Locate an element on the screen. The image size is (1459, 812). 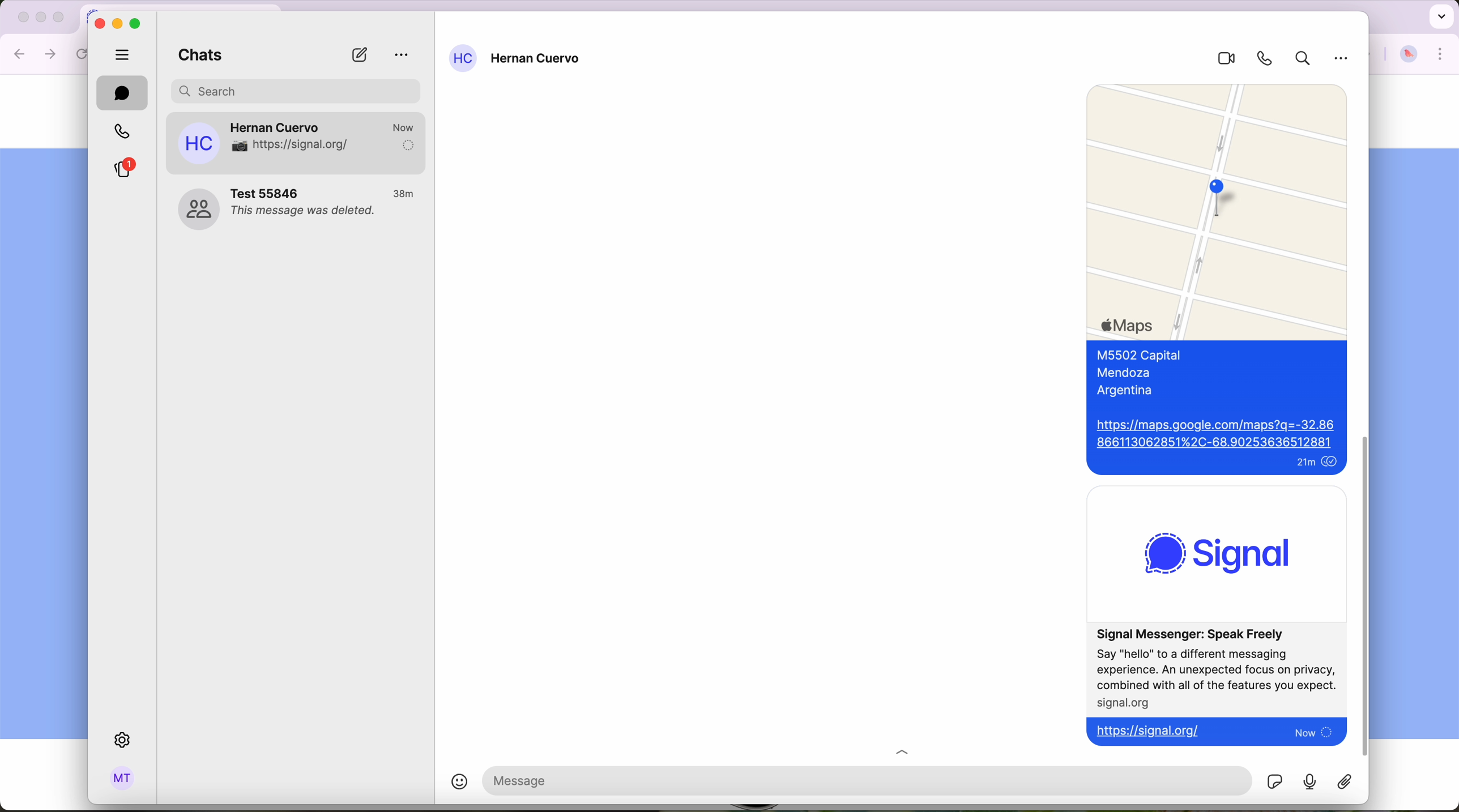
customize and control Google Chrome is located at coordinates (1441, 54).